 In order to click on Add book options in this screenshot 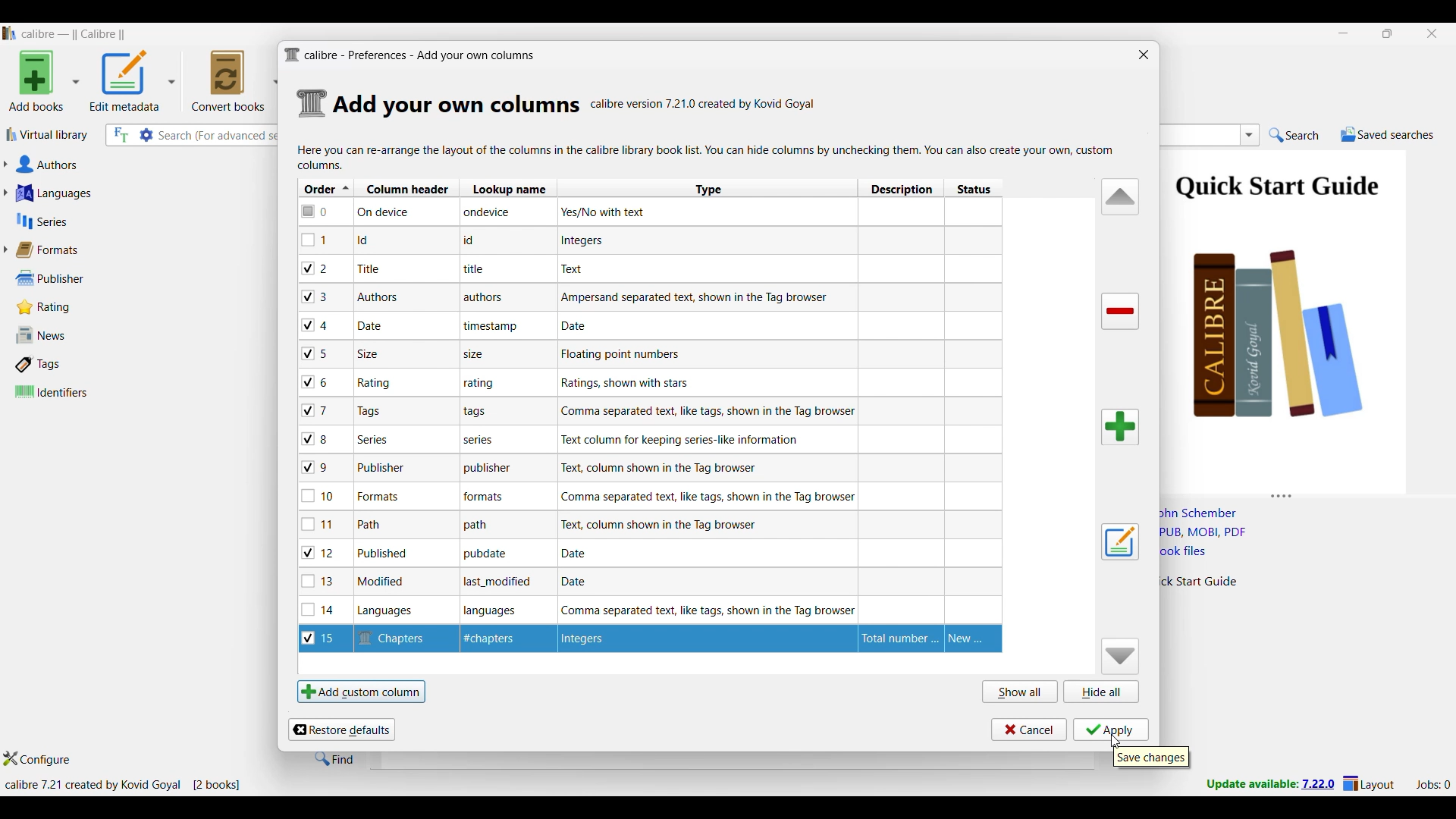, I will do `click(45, 80)`.